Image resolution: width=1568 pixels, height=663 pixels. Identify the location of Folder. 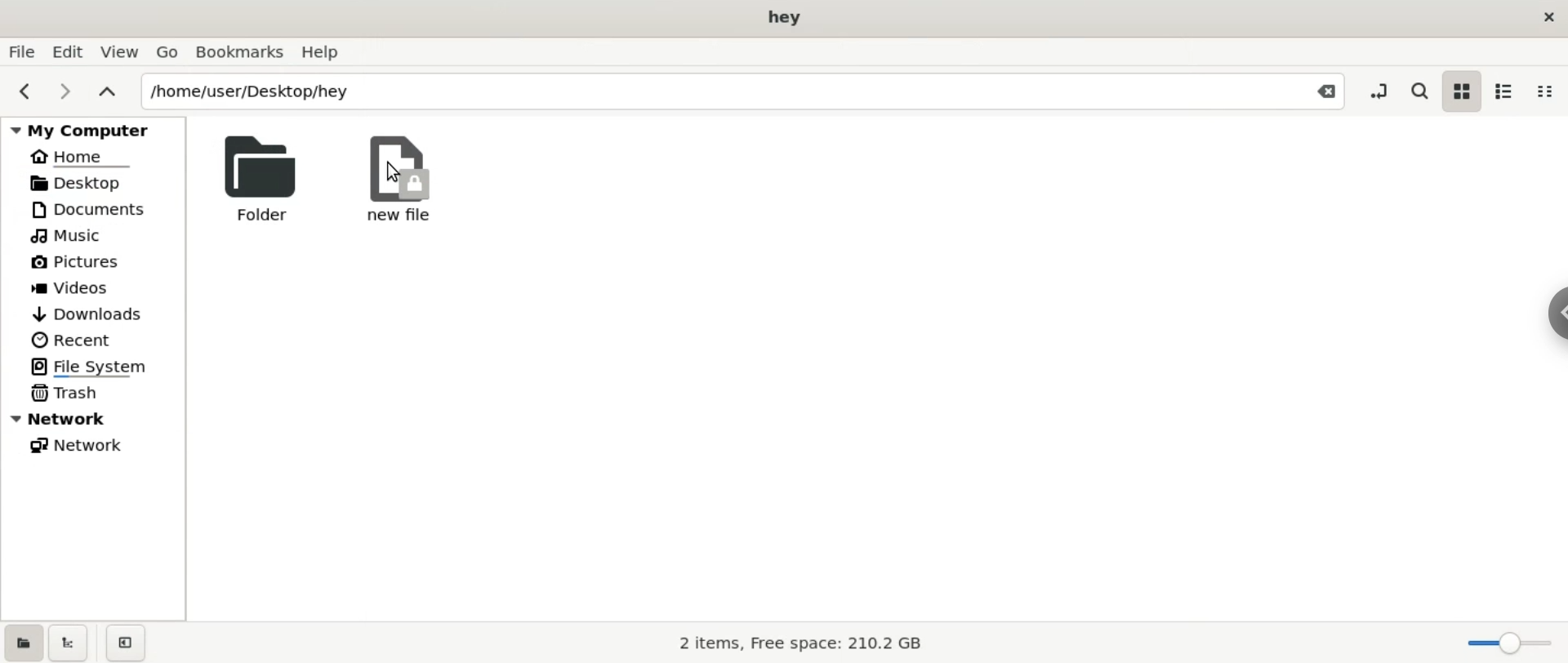
(256, 177).